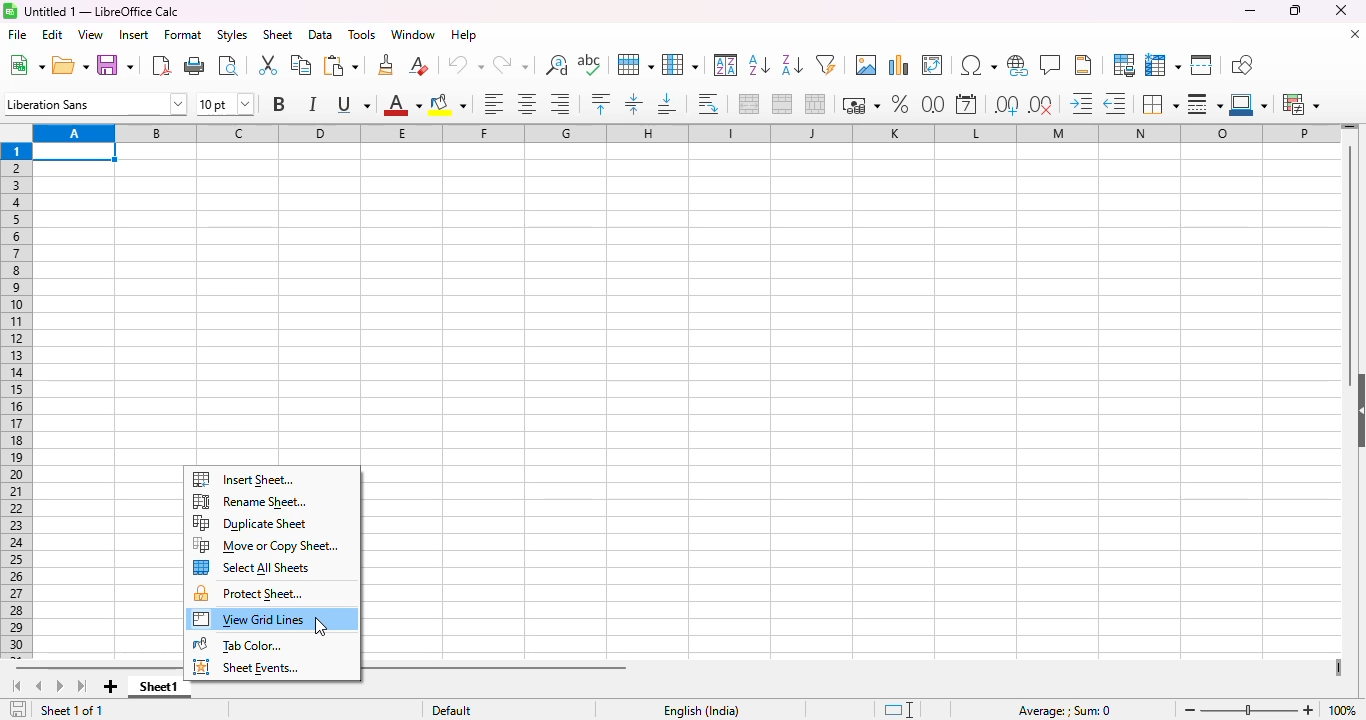 Image resolution: width=1366 pixels, height=720 pixels. What do you see at coordinates (1295, 10) in the screenshot?
I see `maximize` at bounding box center [1295, 10].